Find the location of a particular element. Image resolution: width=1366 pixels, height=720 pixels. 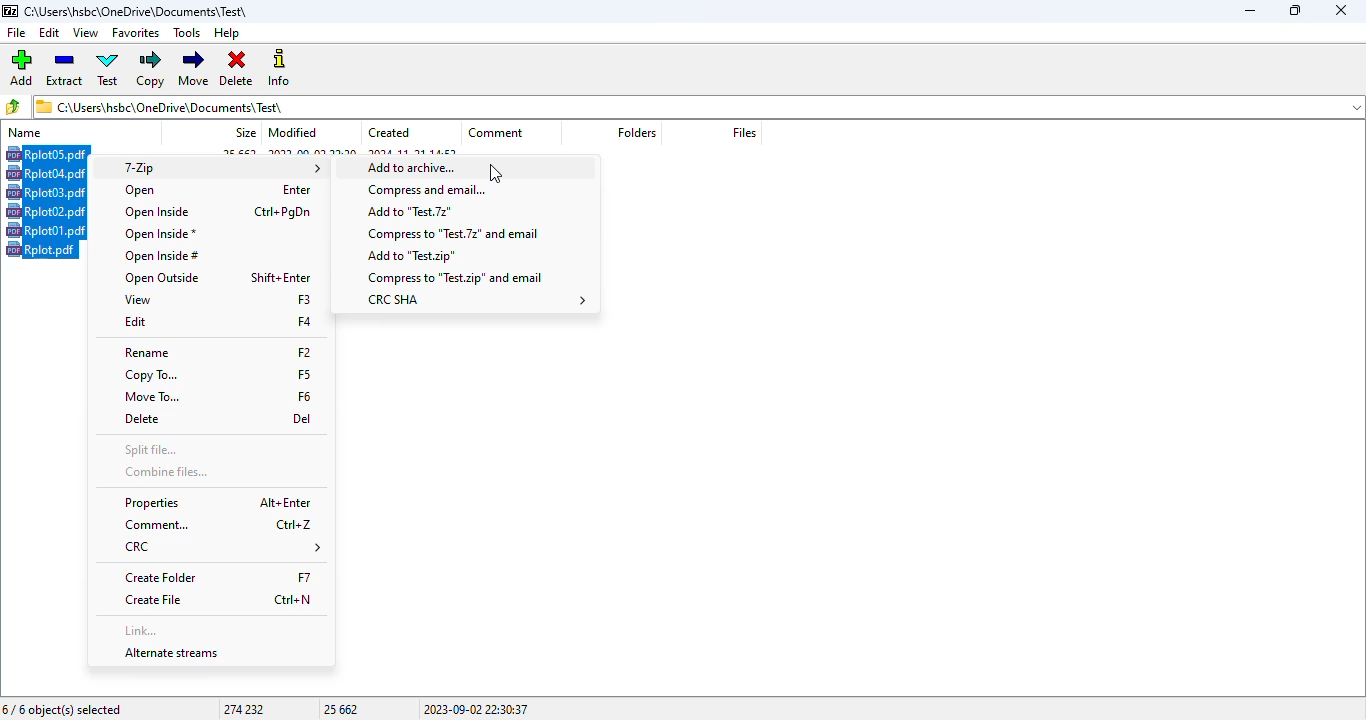

add to test.zip is located at coordinates (412, 256).